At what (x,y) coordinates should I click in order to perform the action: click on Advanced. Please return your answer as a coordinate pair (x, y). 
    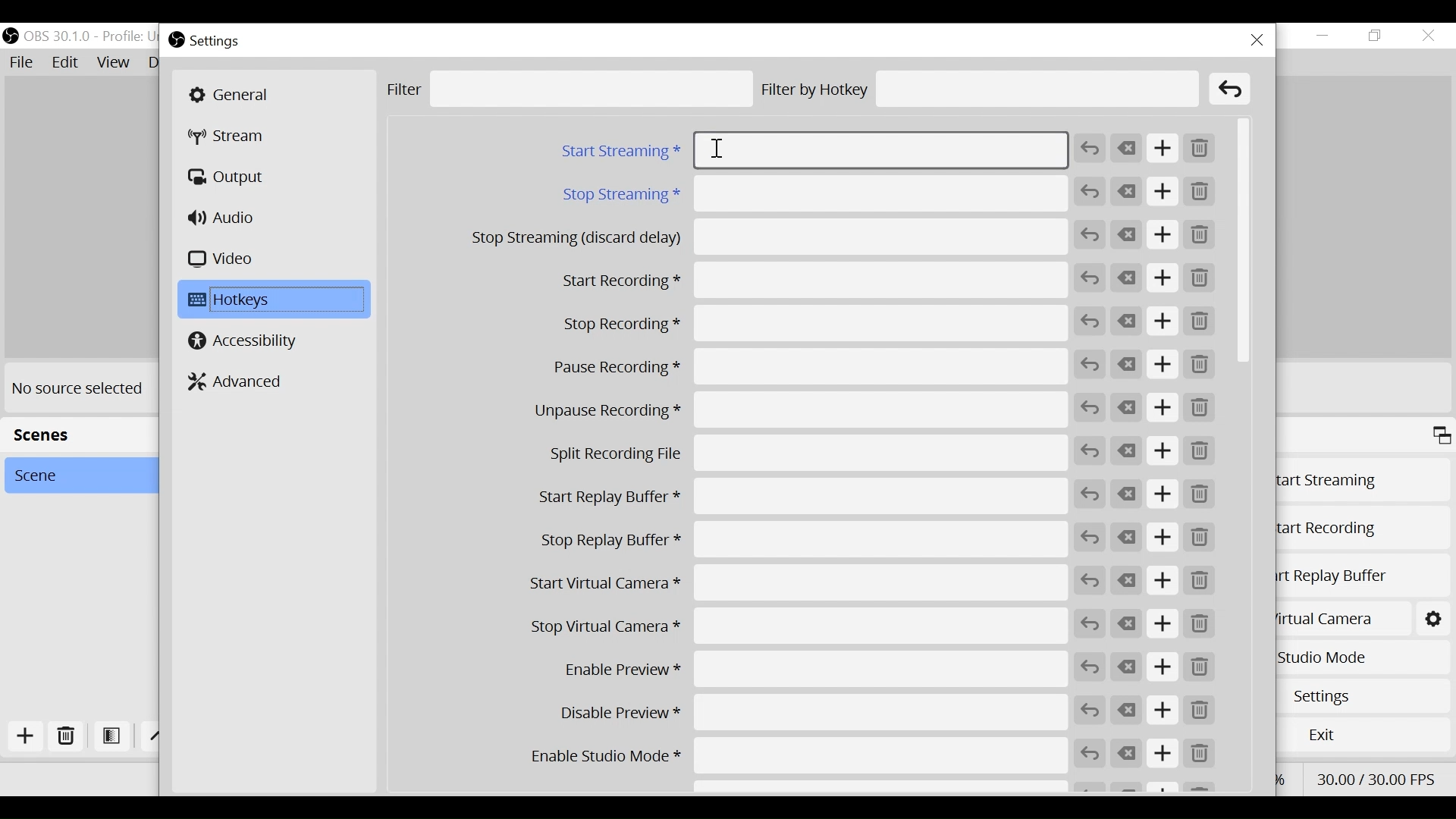
    Looking at the image, I should click on (242, 380).